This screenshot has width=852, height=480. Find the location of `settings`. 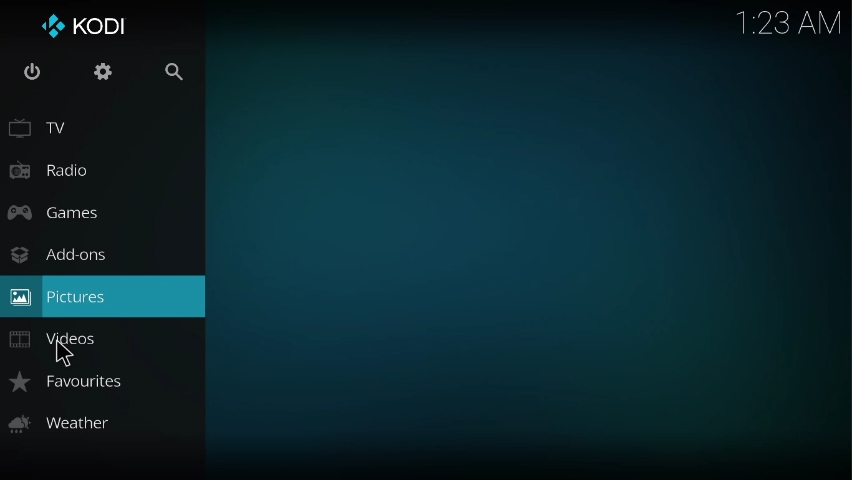

settings is located at coordinates (102, 73).